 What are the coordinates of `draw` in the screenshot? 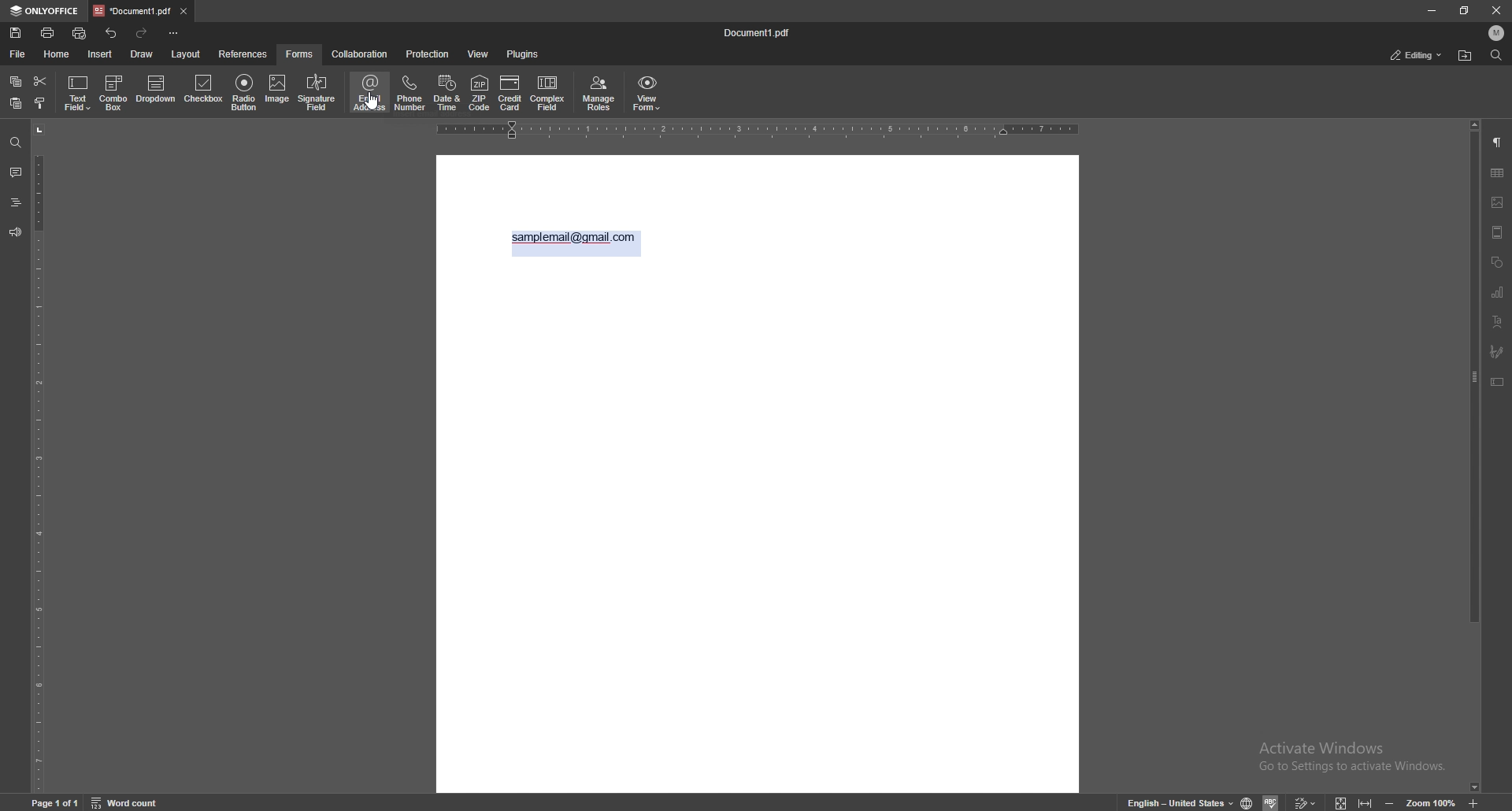 It's located at (141, 54).